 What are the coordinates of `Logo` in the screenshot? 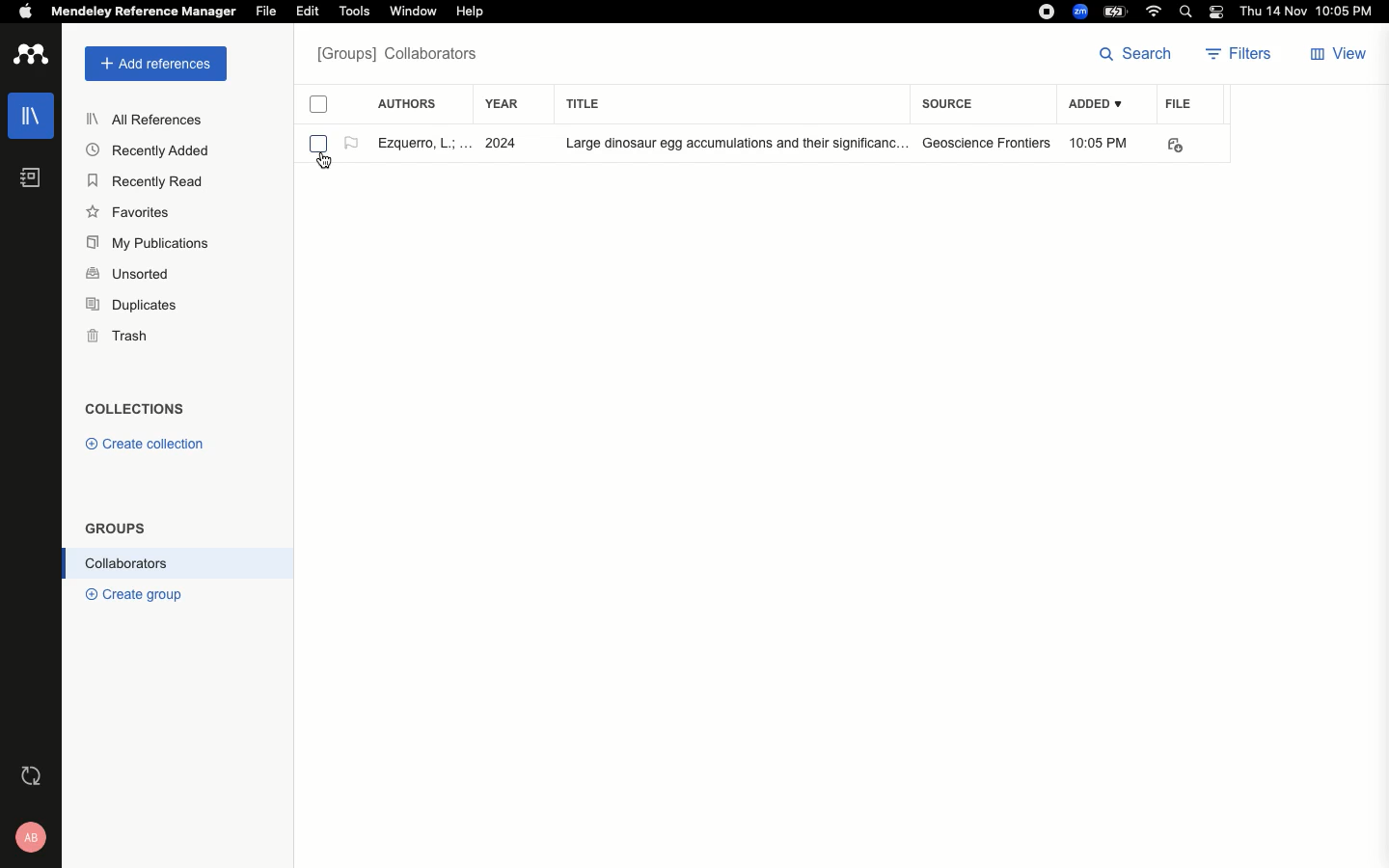 It's located at (33, 56).